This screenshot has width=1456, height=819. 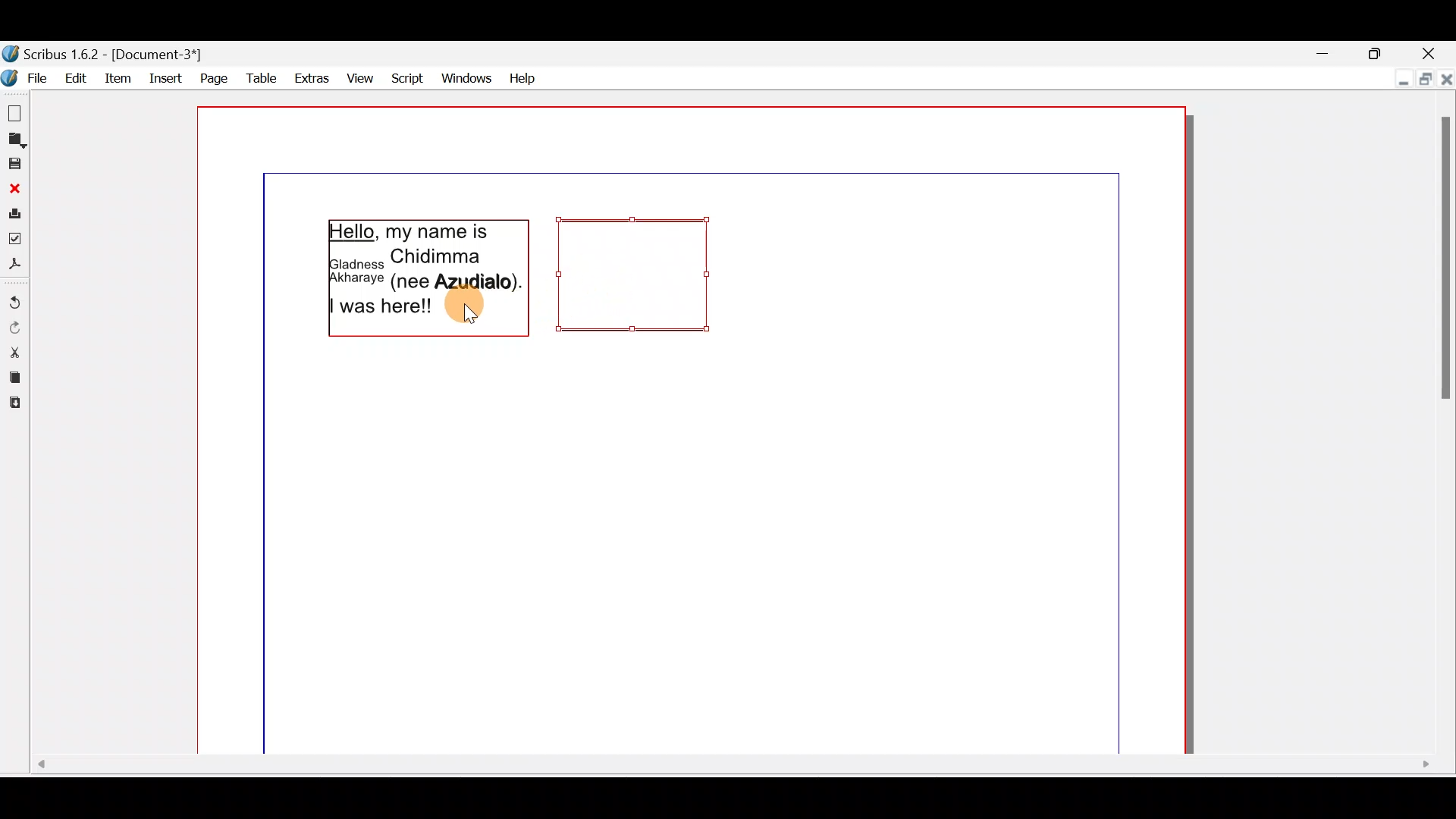 I want to click on Edit, so click(x=77, y=78).